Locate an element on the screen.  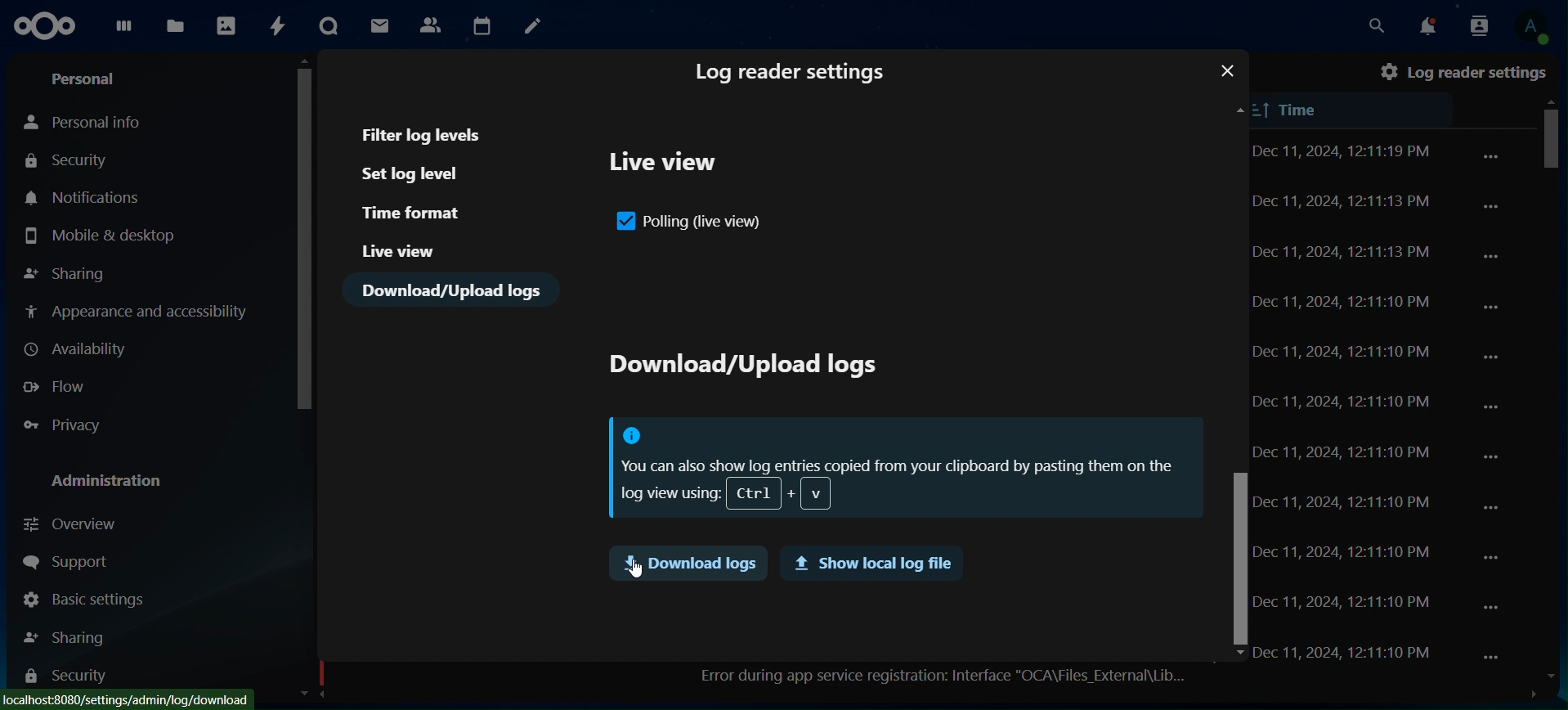
... is located at coordinates (1494, 410).